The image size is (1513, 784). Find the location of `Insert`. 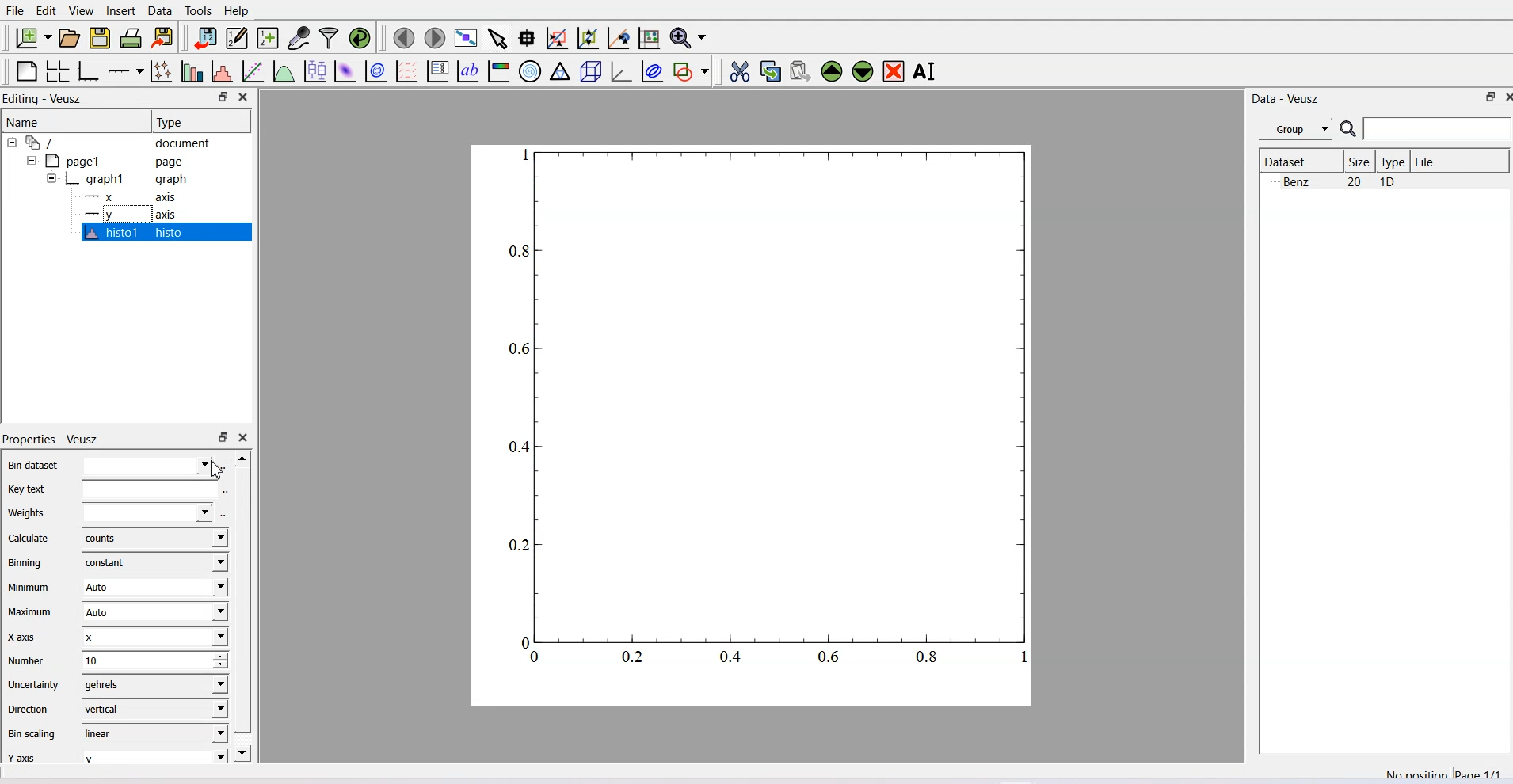

Insert is located at coordinates (123, 11).